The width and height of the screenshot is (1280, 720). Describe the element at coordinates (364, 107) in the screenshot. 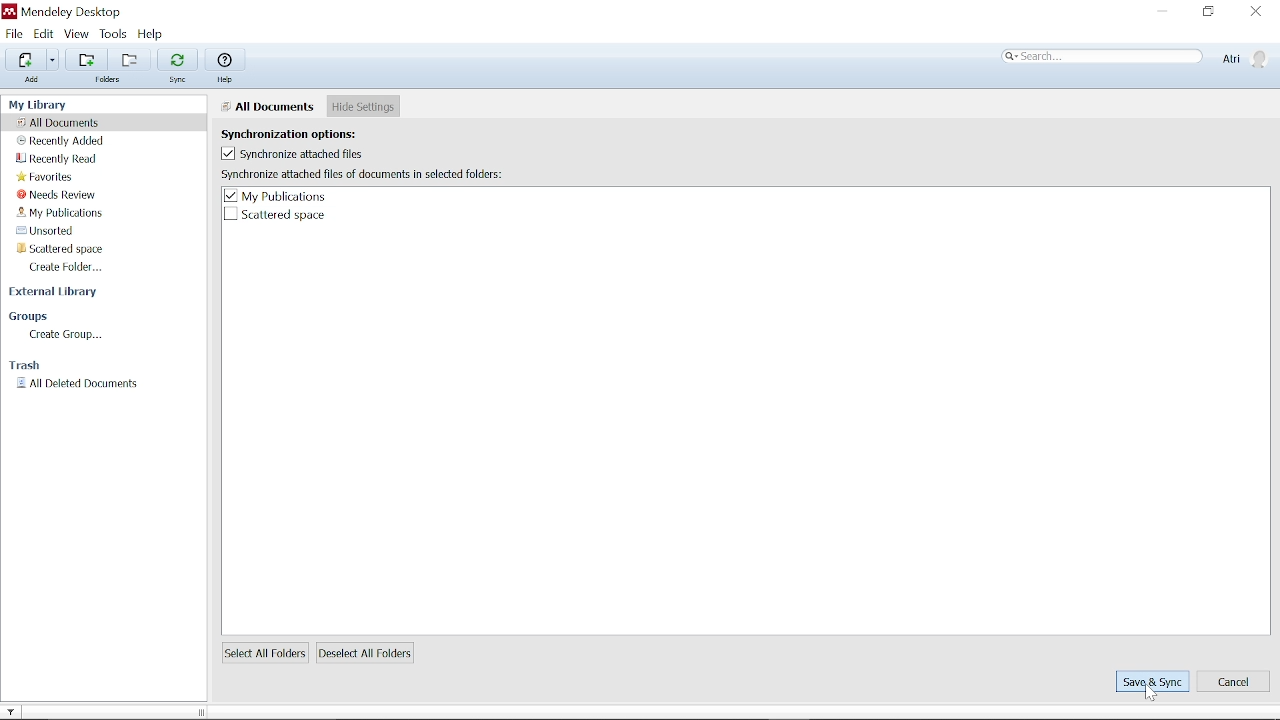

I see `Hide settings` at that location.